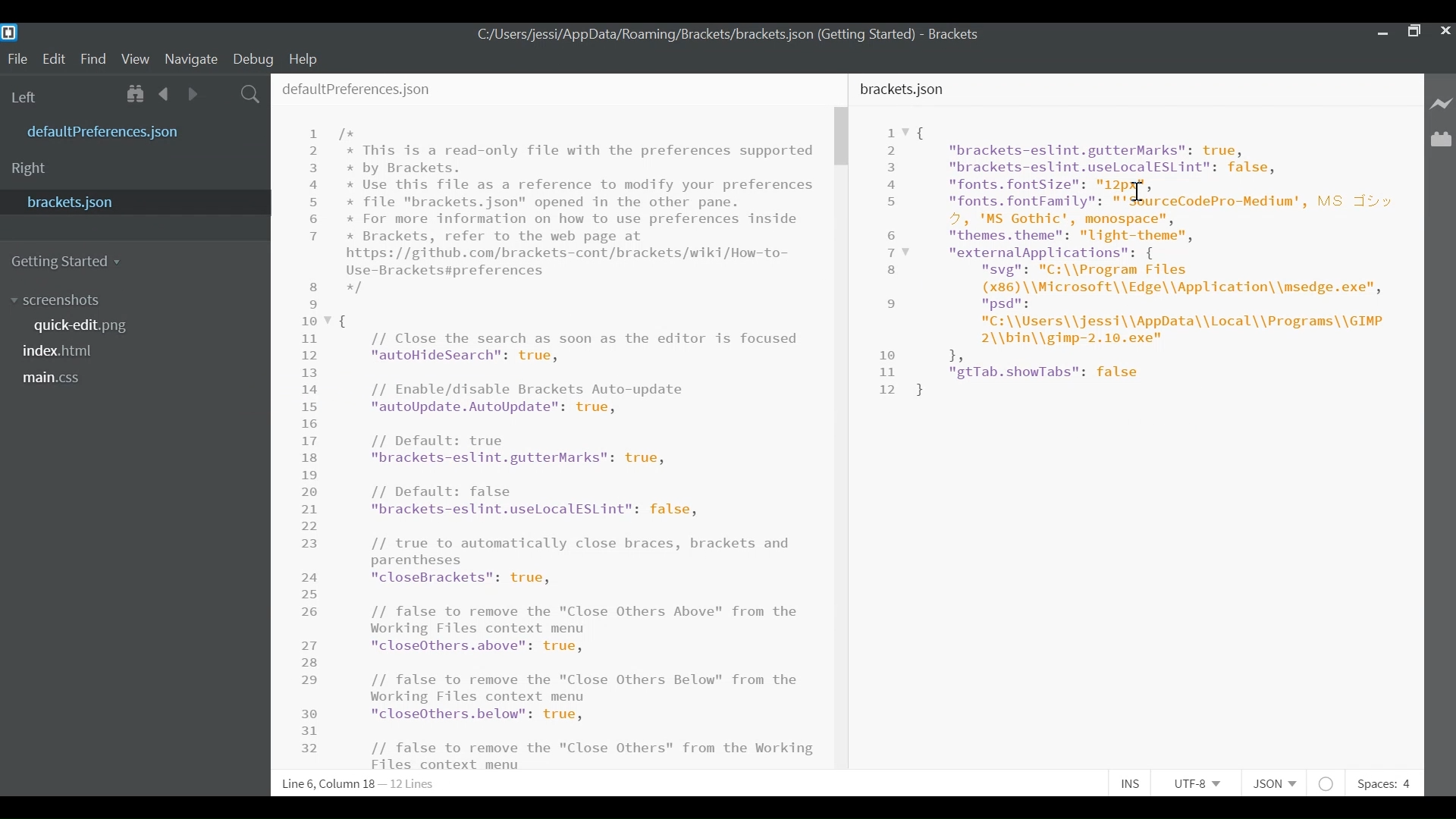 This screenshot has height=819, width=1456. Describe the element at coordinates (1389, 780) in the screenshot. I see `Spaces: 4` at that location.